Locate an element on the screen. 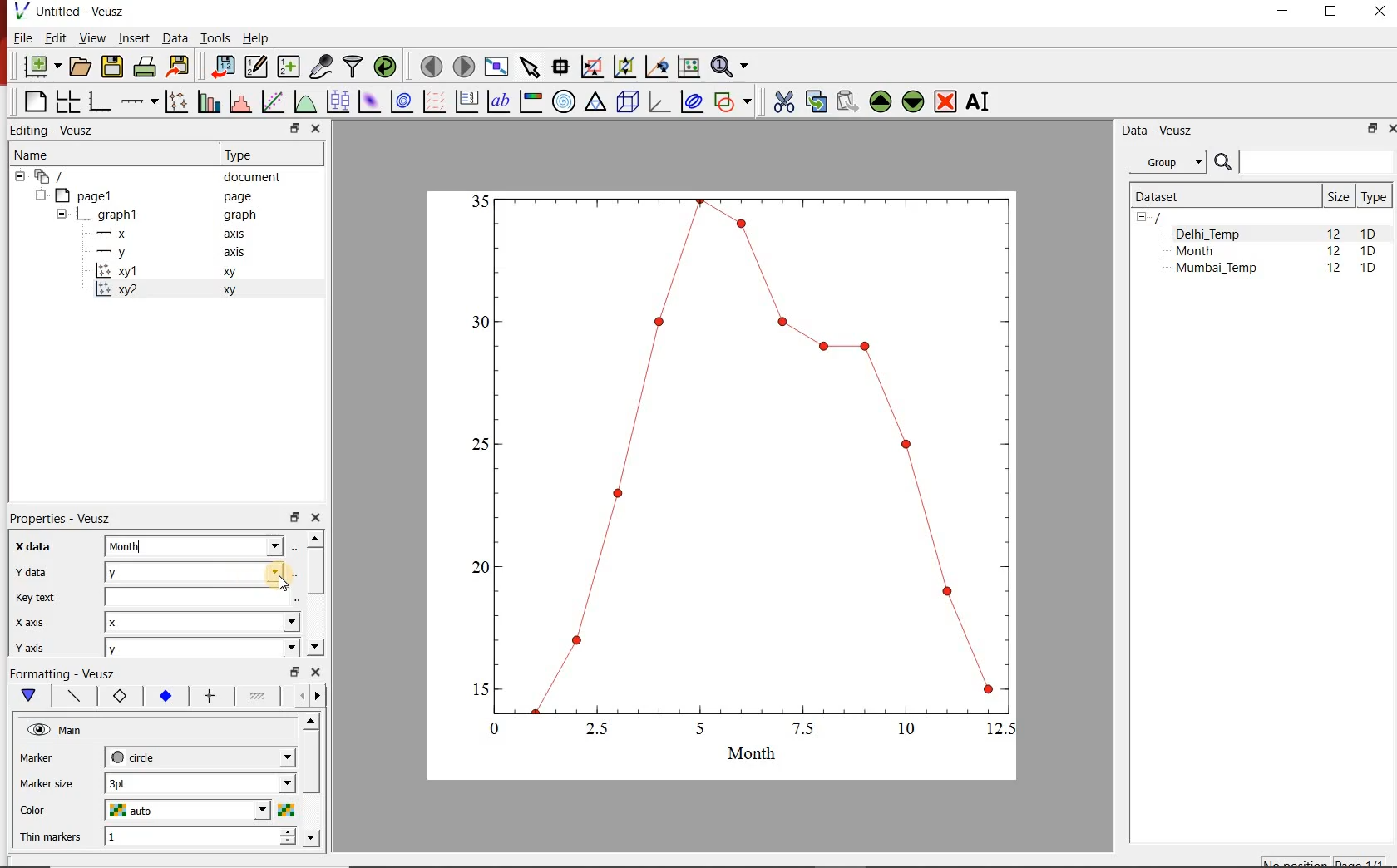 Image resolution: width=1397 pixels, height=868 pixels. save the document is located at coordinates (111, 67).